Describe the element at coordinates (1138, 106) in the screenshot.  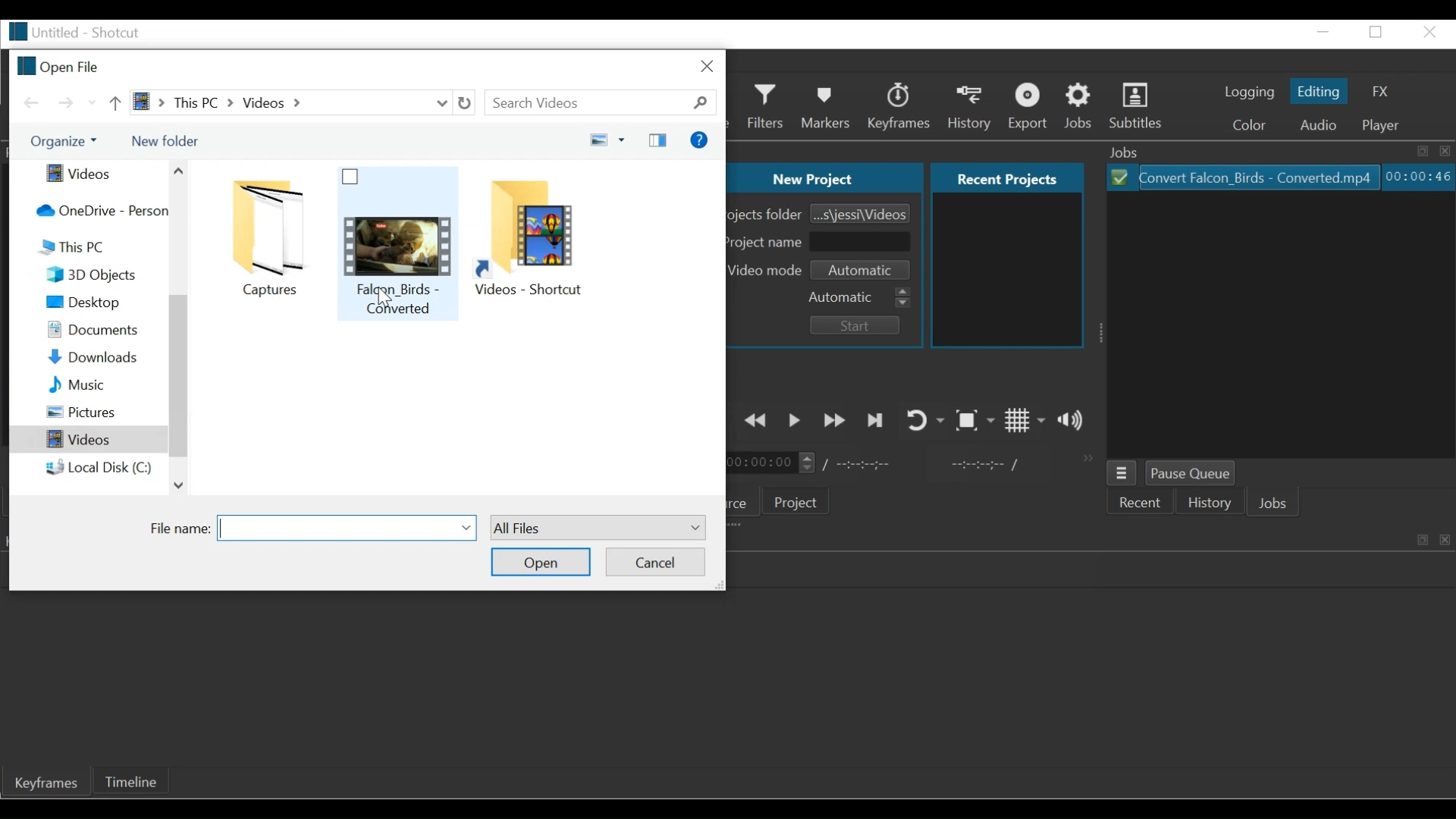
I see `Subtitles` at that location.